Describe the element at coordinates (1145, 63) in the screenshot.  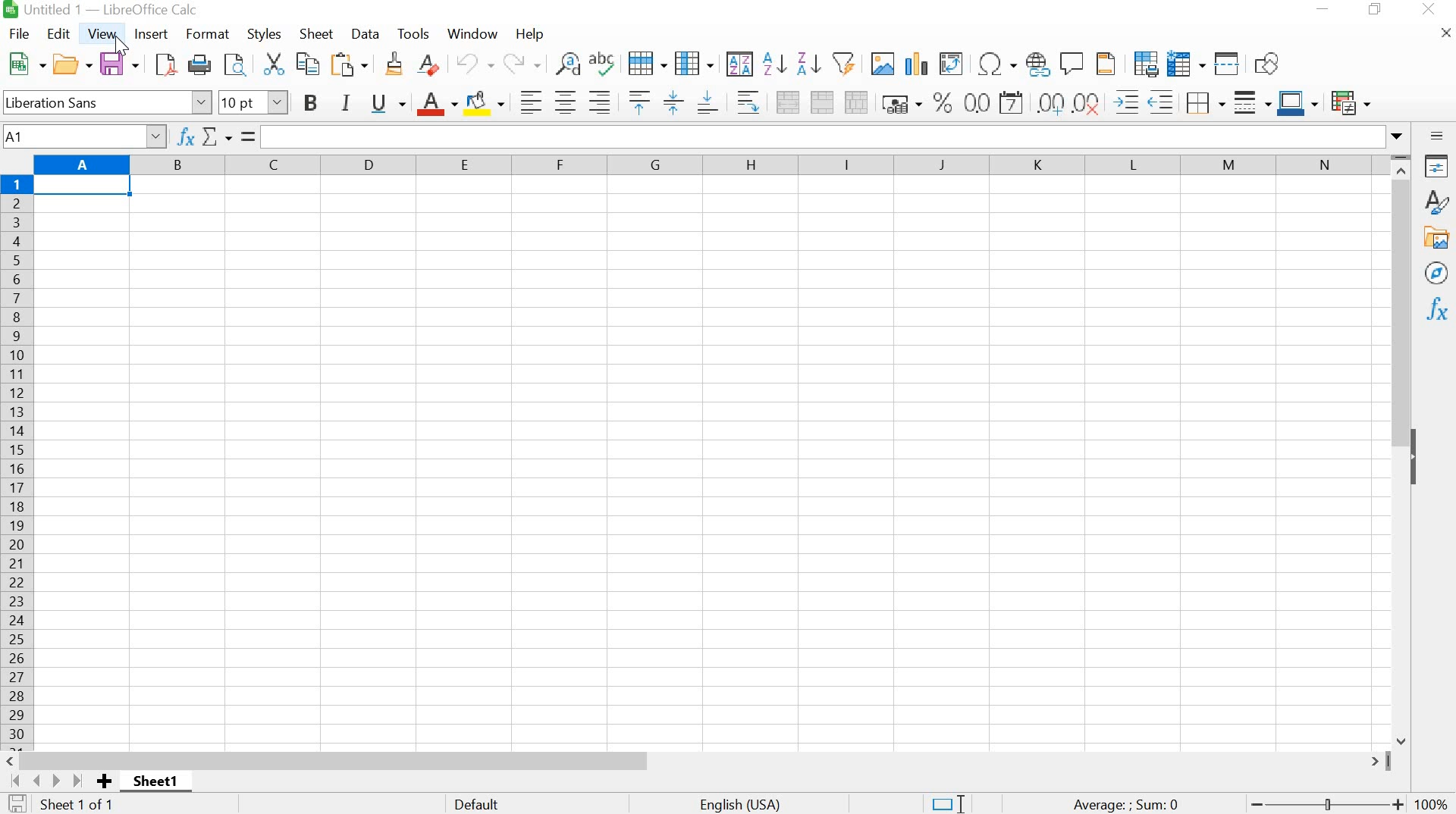
I see `DEFINE PRINT AREA` at that location.